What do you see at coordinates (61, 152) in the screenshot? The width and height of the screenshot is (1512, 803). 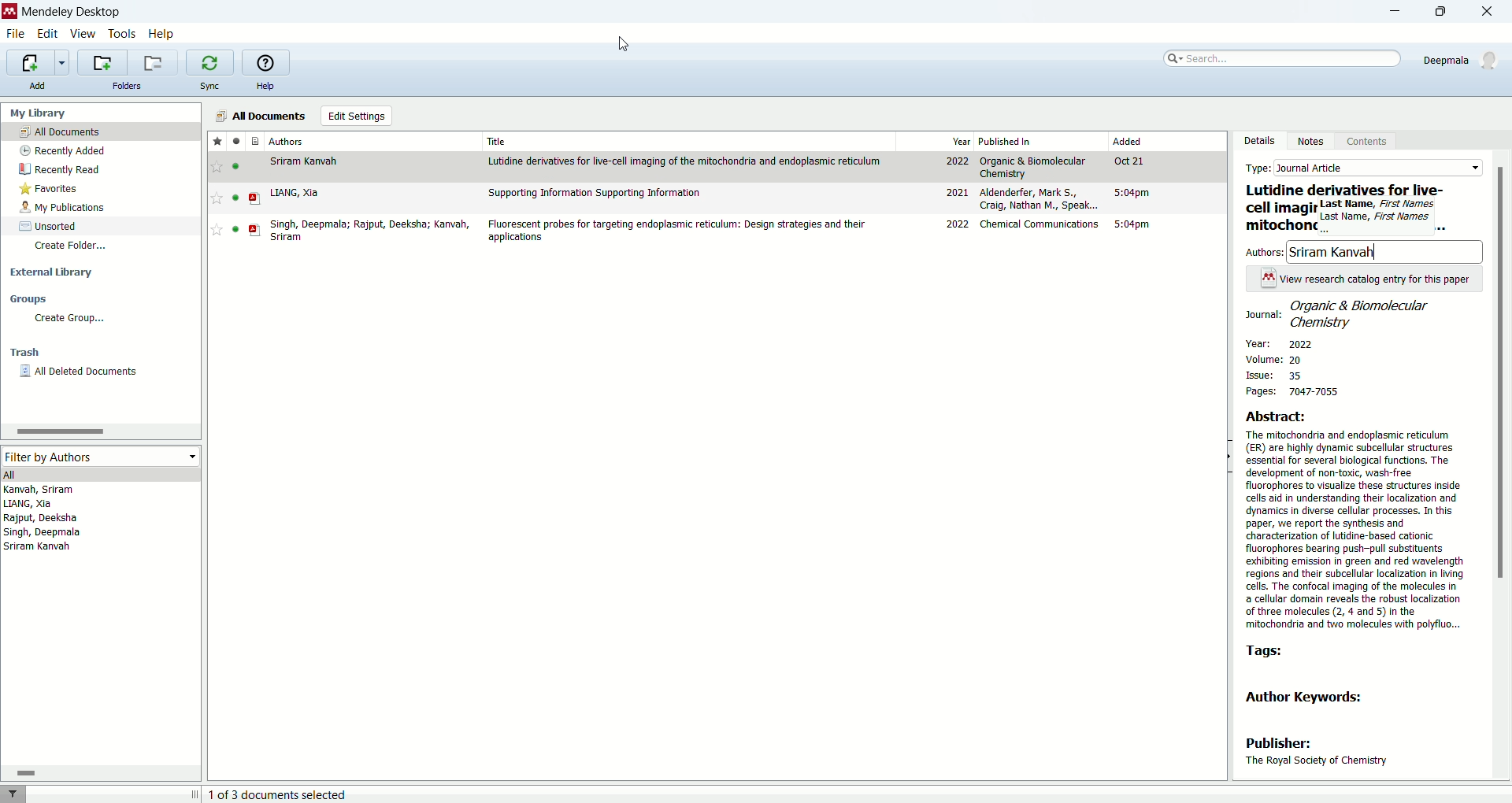 I see `recently added` at bounding box center [61, 152].